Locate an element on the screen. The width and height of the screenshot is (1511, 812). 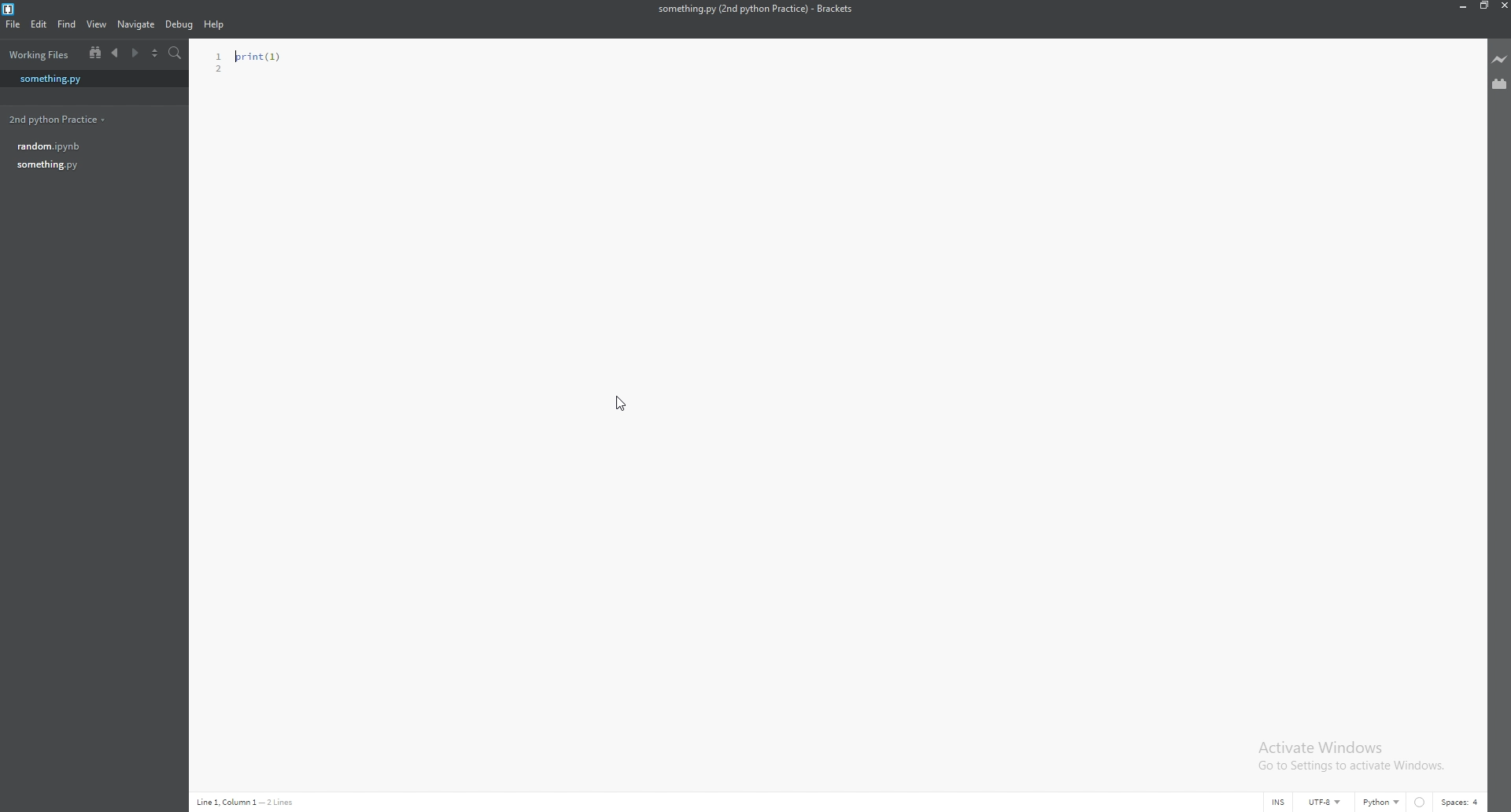
utf-8 is located at coordinates (1326, 803).